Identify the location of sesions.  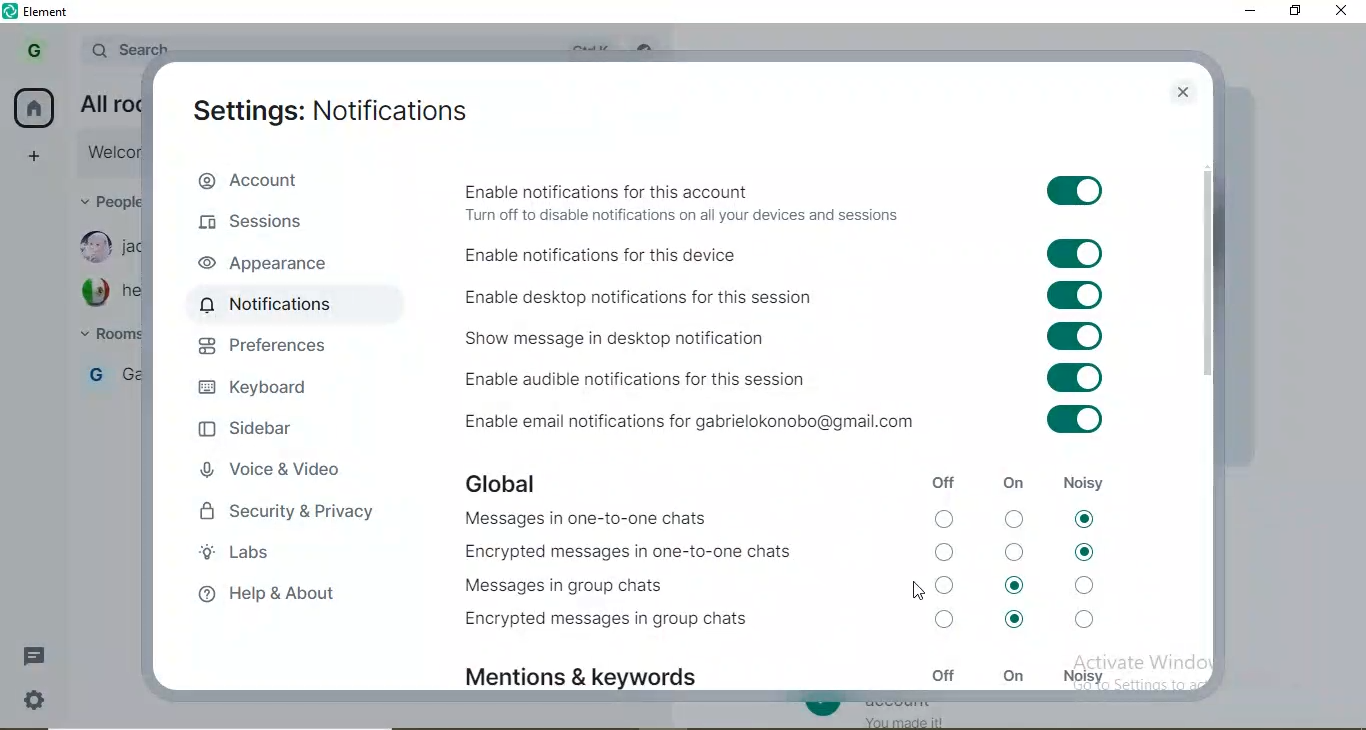
(262, 226).